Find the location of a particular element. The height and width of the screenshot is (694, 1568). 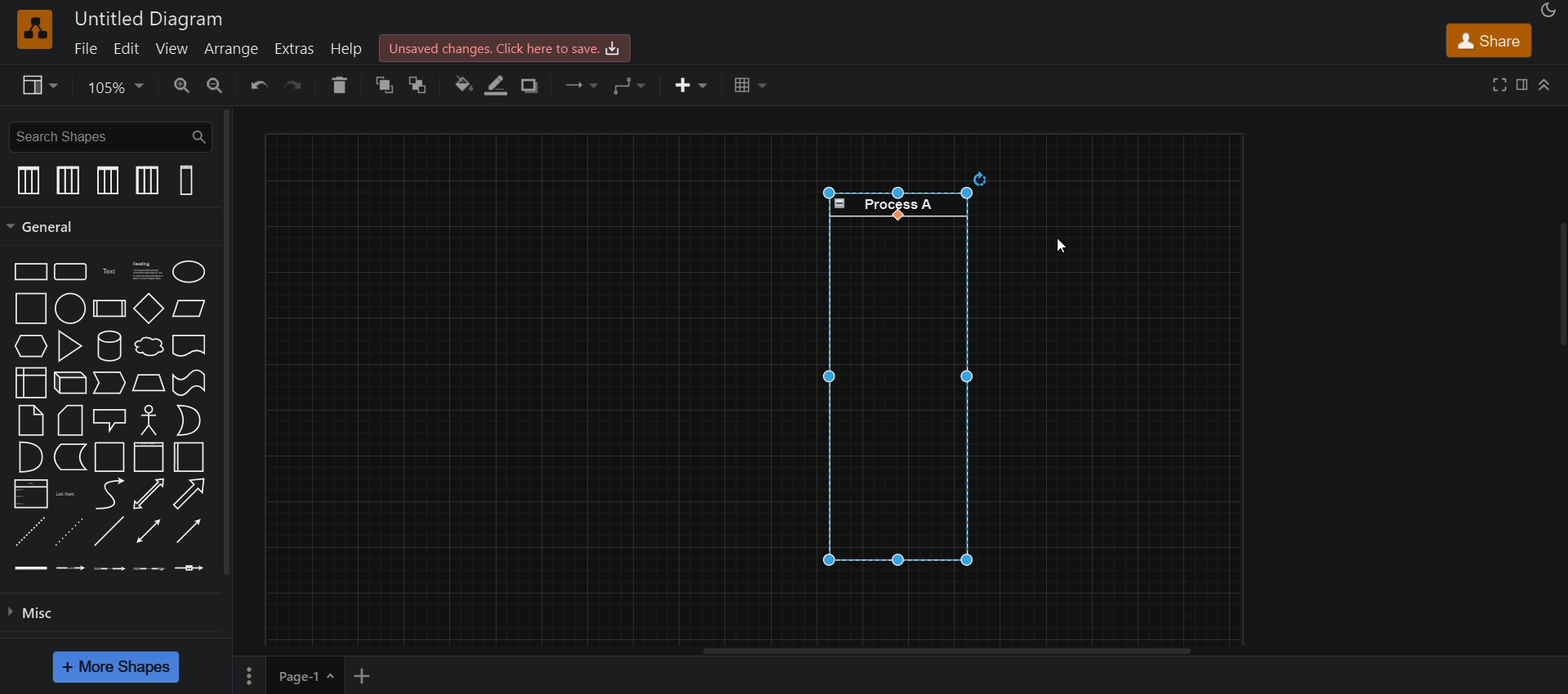

vertical swimlanes is located at coordinates (187, 182).